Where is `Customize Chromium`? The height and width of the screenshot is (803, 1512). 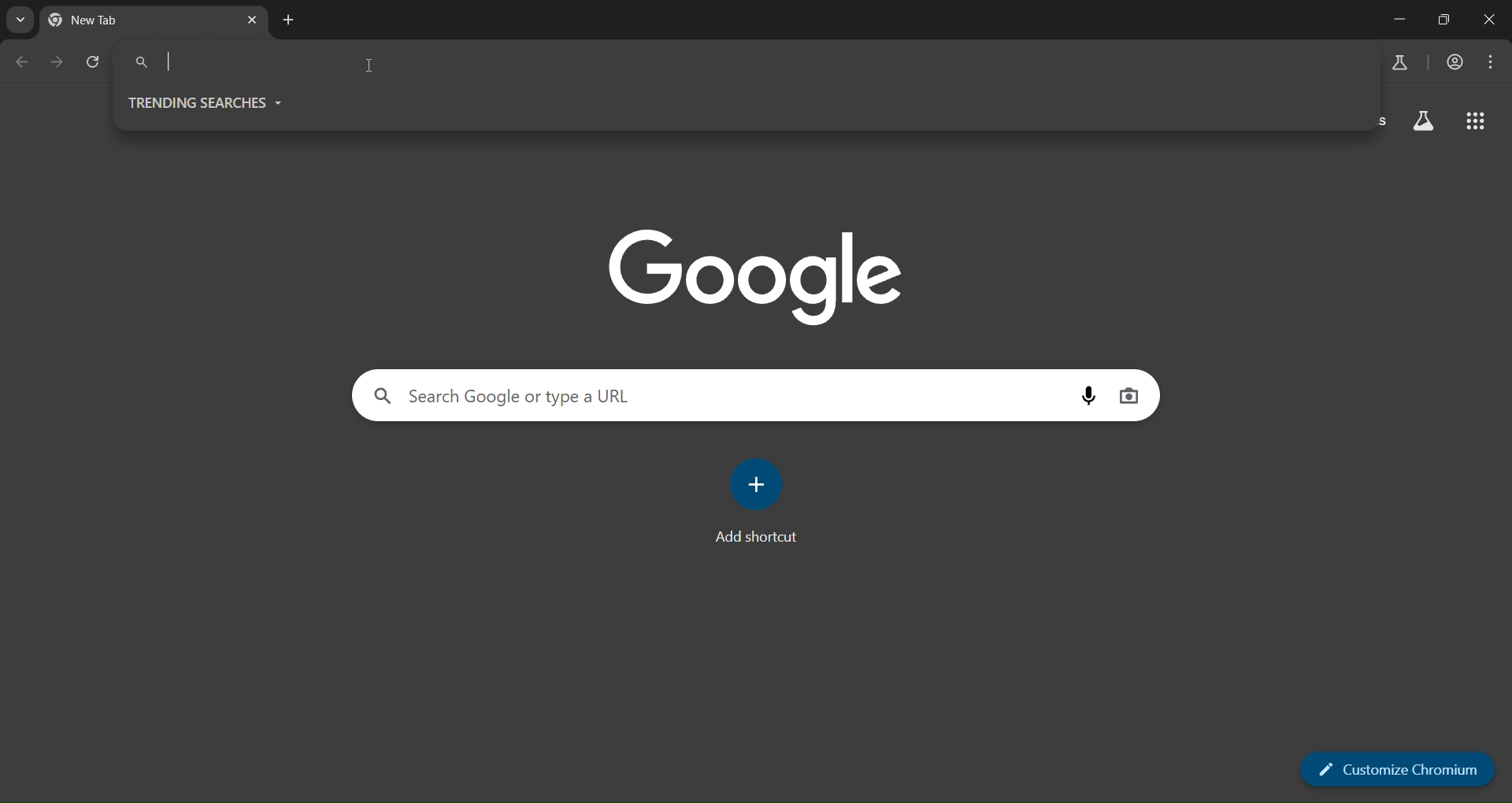 Customize Chromium is located at coordinates (1399, 771).